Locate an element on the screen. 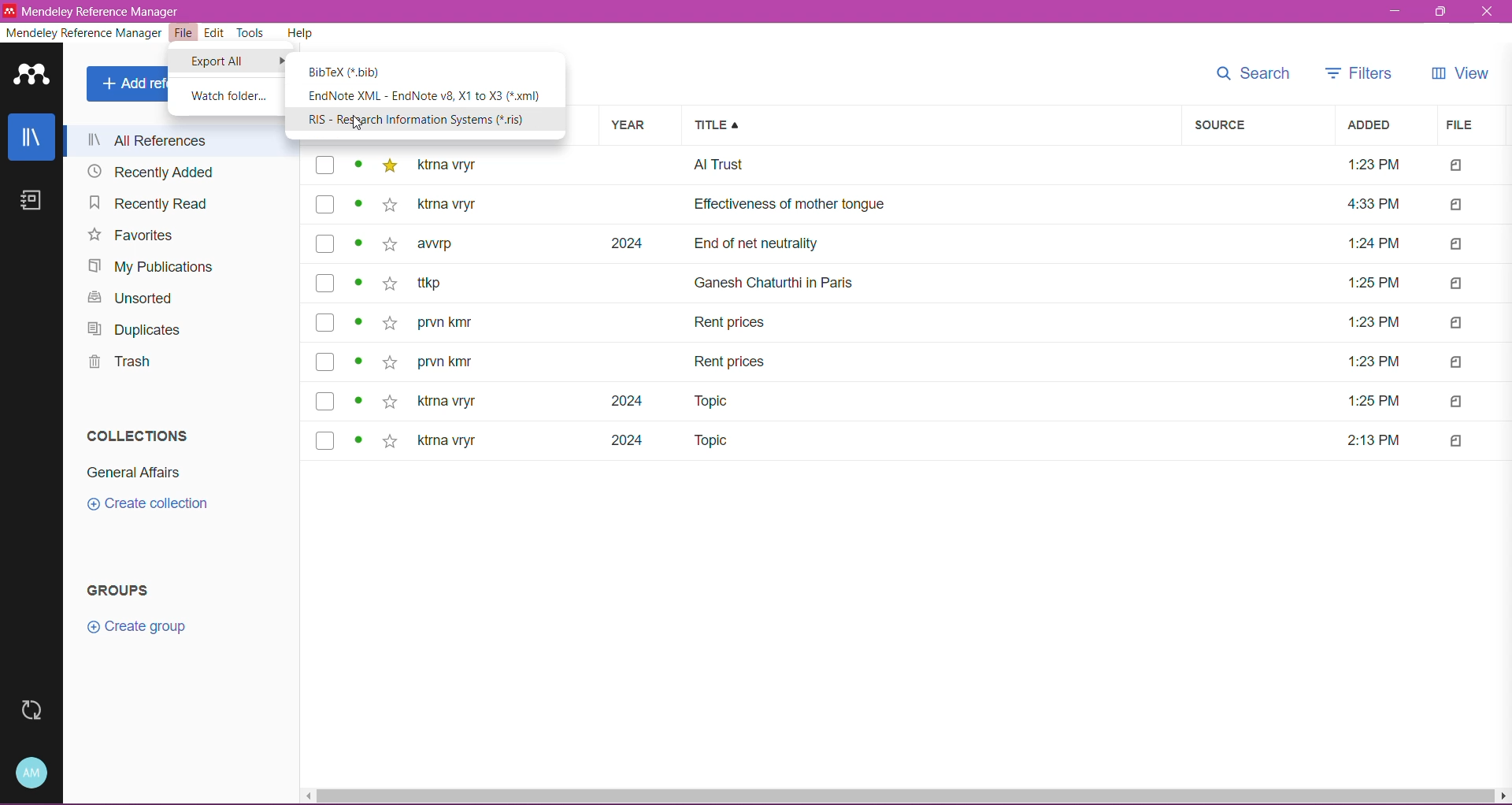 This screenshot has height=805, width=1512. Favorites is located at coordinates (129, 236).